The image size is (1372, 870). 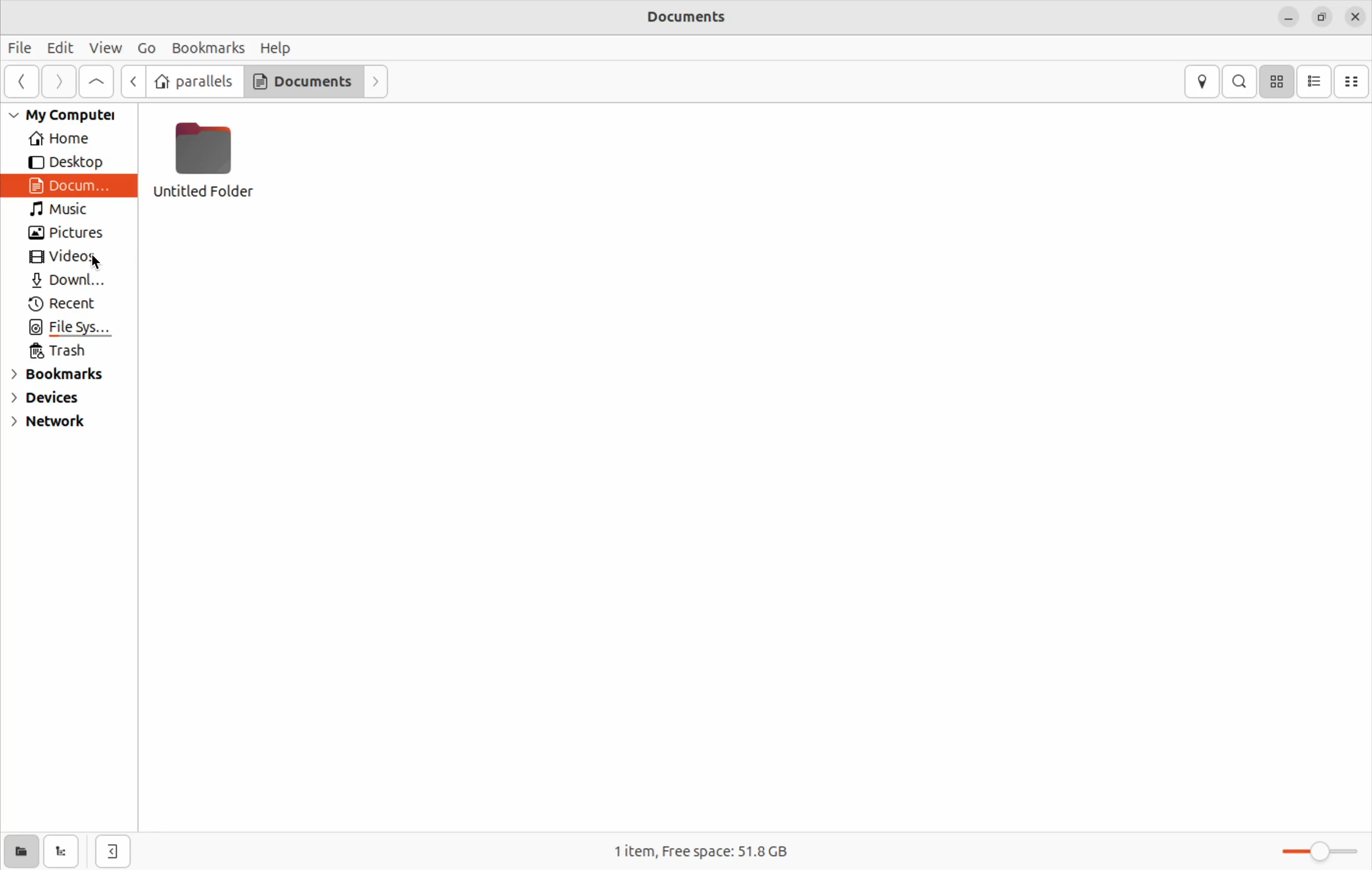 I want to click on Edit, so click(x=59, y=48).